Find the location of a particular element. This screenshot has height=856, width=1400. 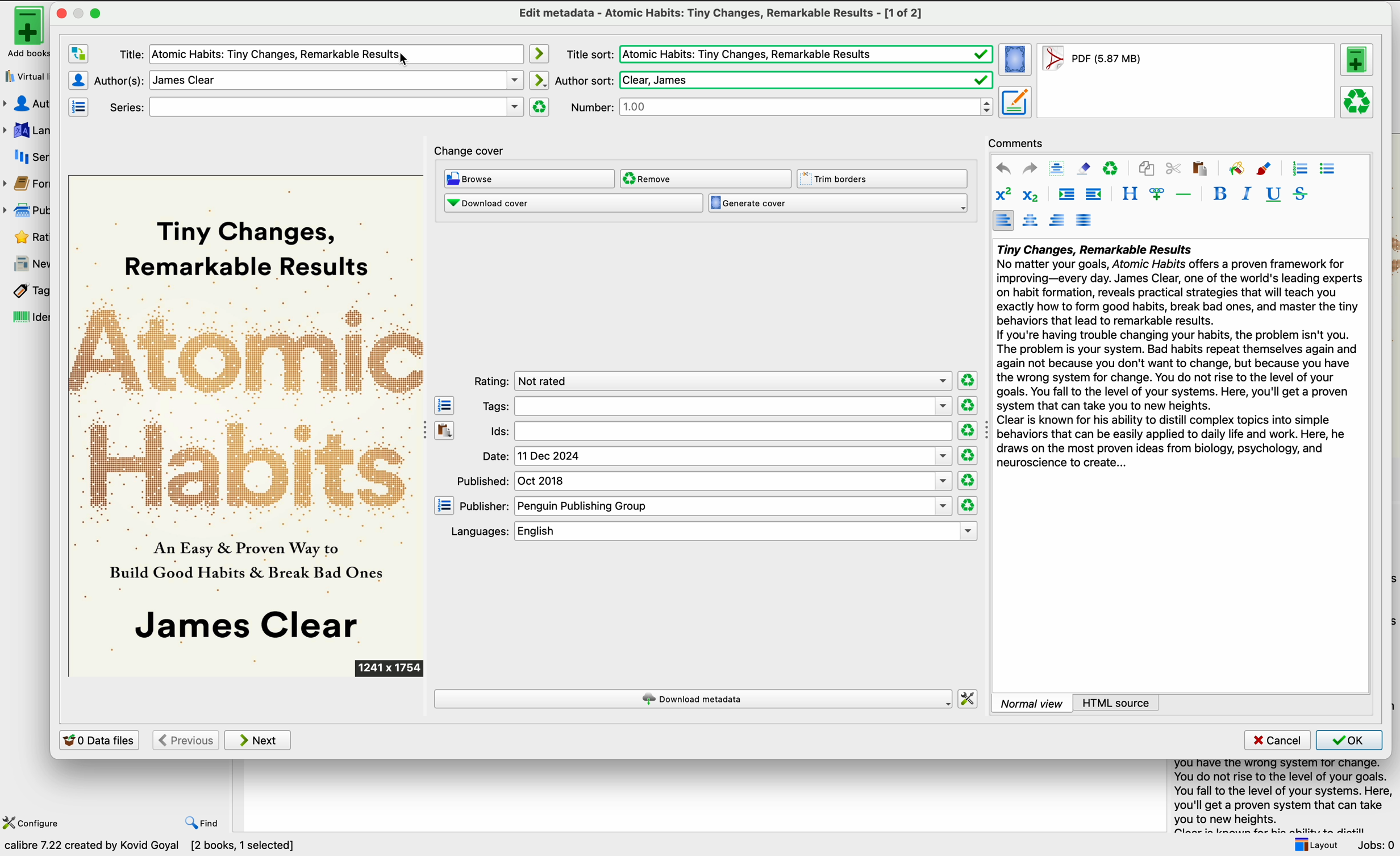

add a format to this book is located at coordinates (1359, 62).